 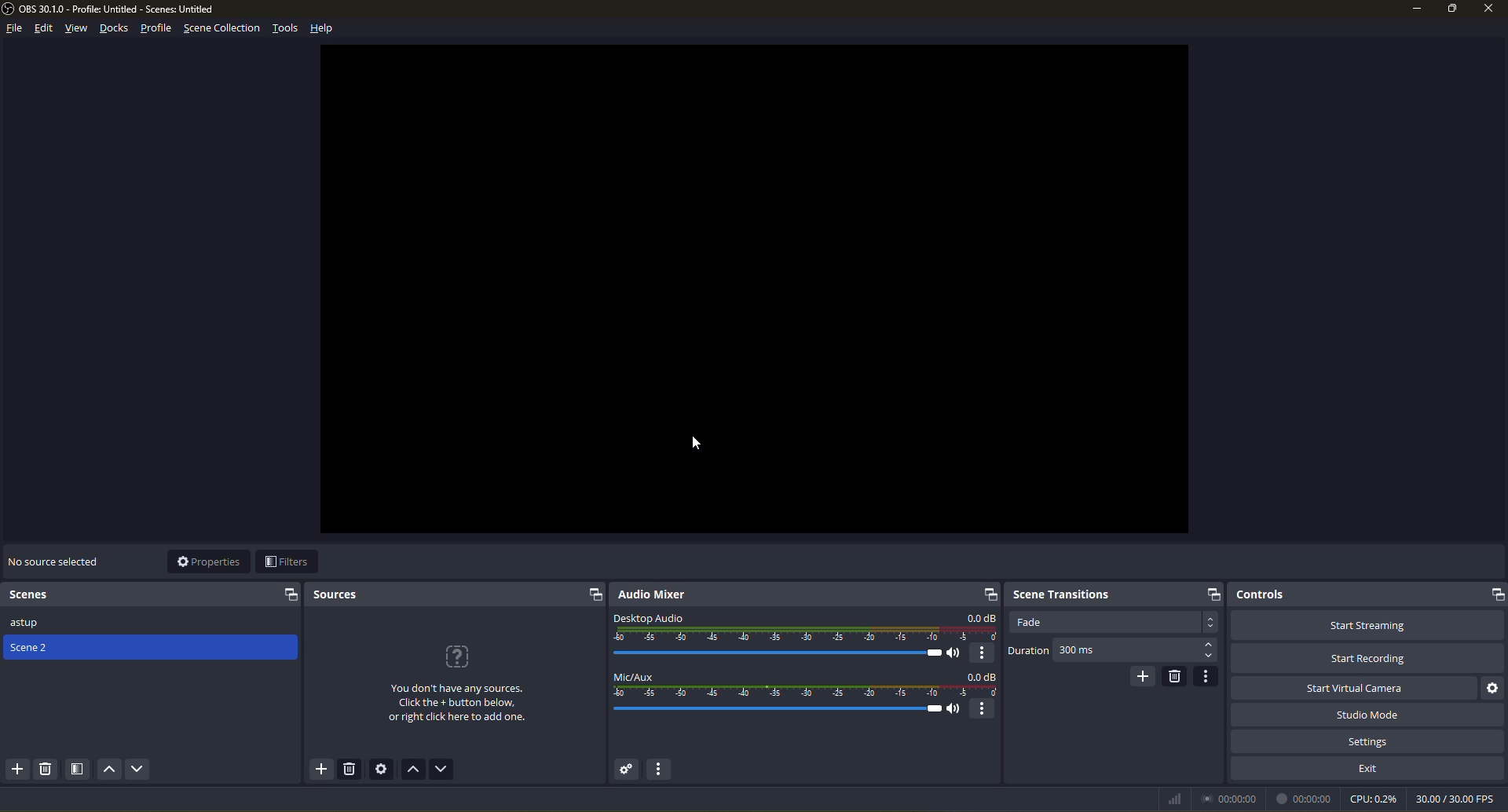 I want to click on workspace, so click(x=755, y=289).